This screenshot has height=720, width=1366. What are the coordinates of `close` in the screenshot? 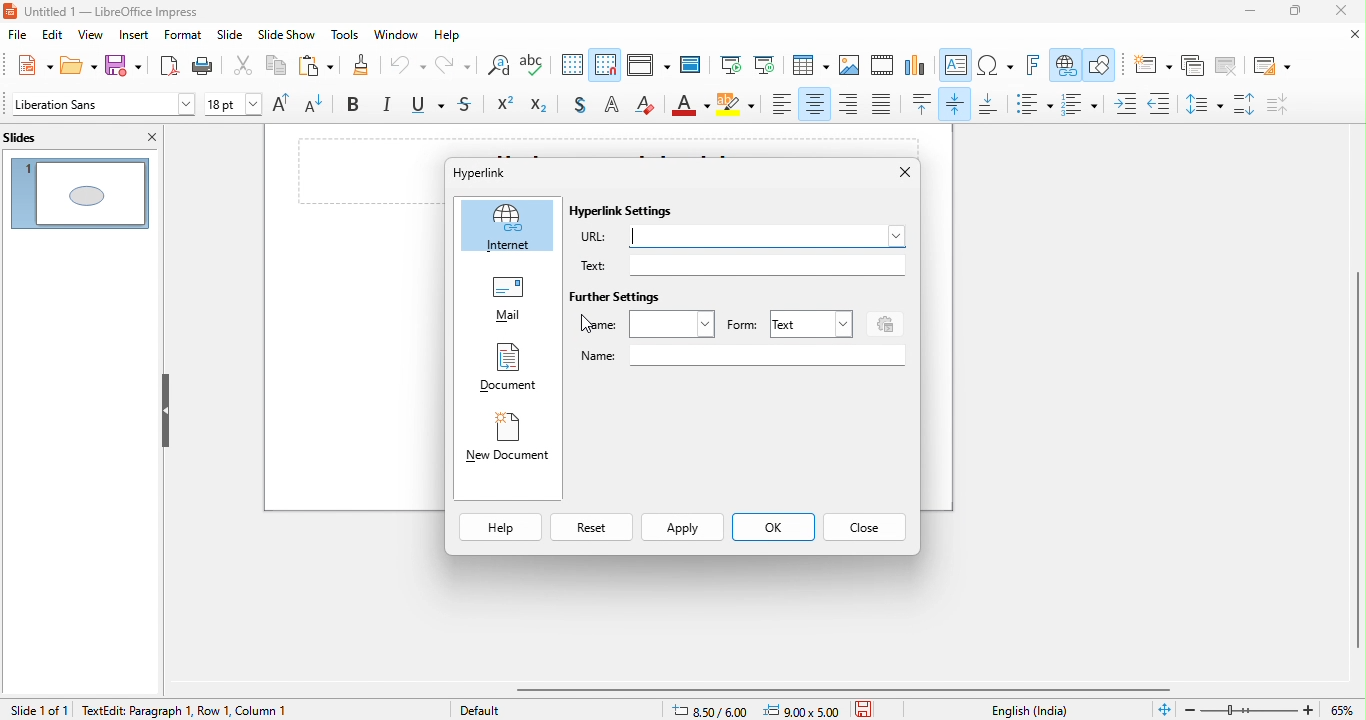 It's located at (1349, 35).